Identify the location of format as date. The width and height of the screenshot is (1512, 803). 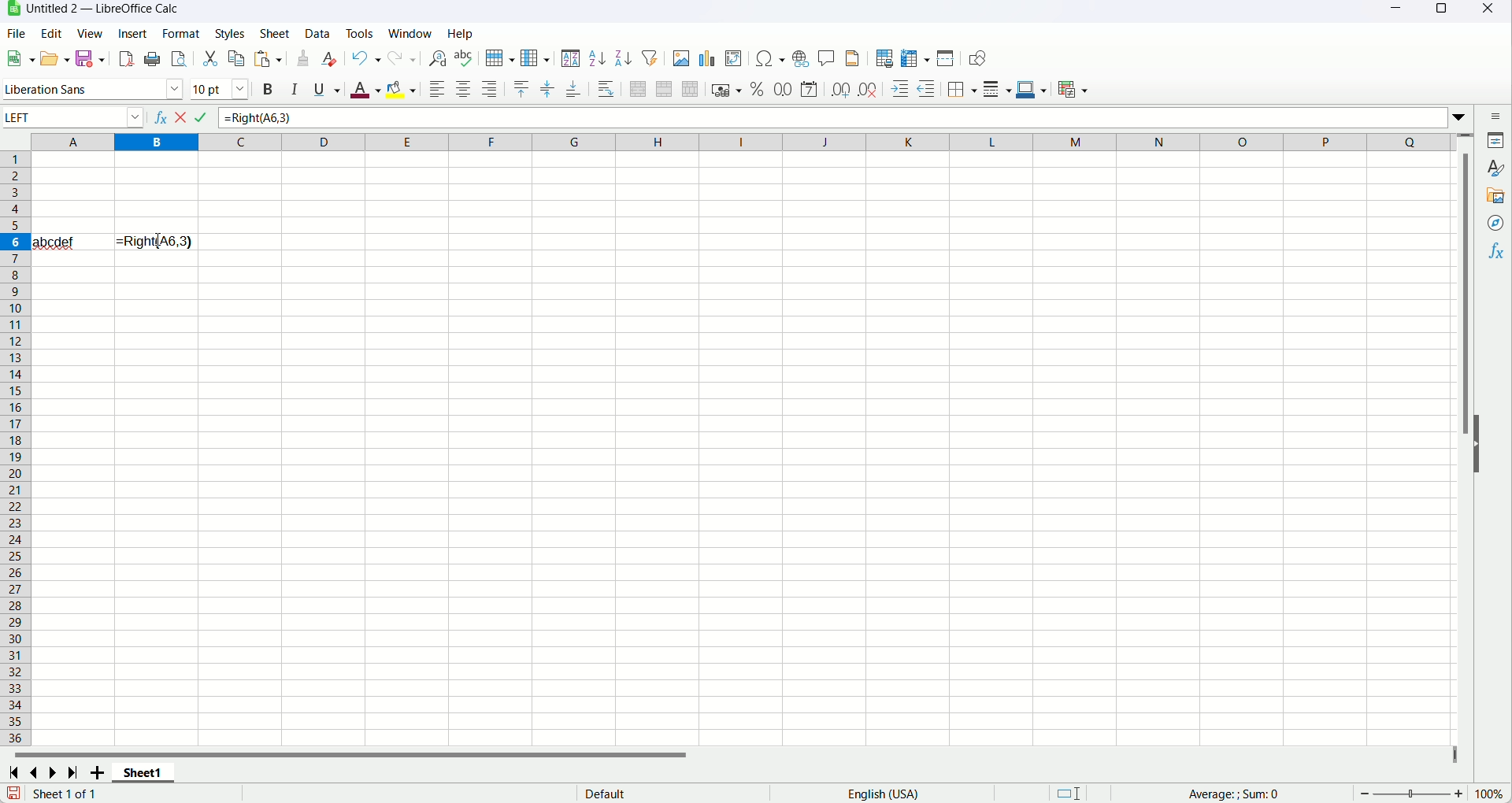
(809, 88).